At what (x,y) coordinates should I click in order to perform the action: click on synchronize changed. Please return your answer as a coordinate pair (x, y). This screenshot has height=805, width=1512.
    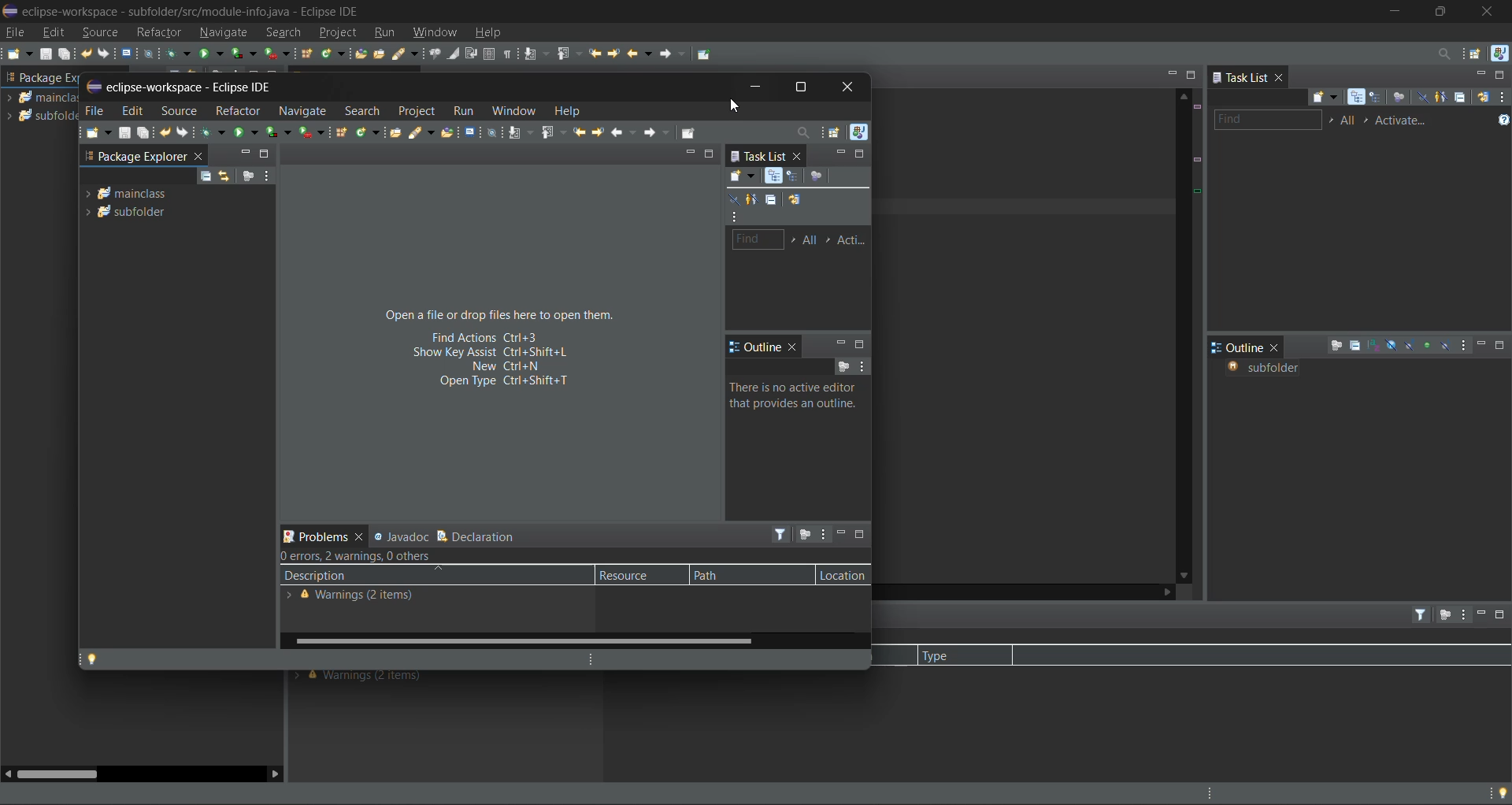
    Looking at the image, I should click on (1483, 98).